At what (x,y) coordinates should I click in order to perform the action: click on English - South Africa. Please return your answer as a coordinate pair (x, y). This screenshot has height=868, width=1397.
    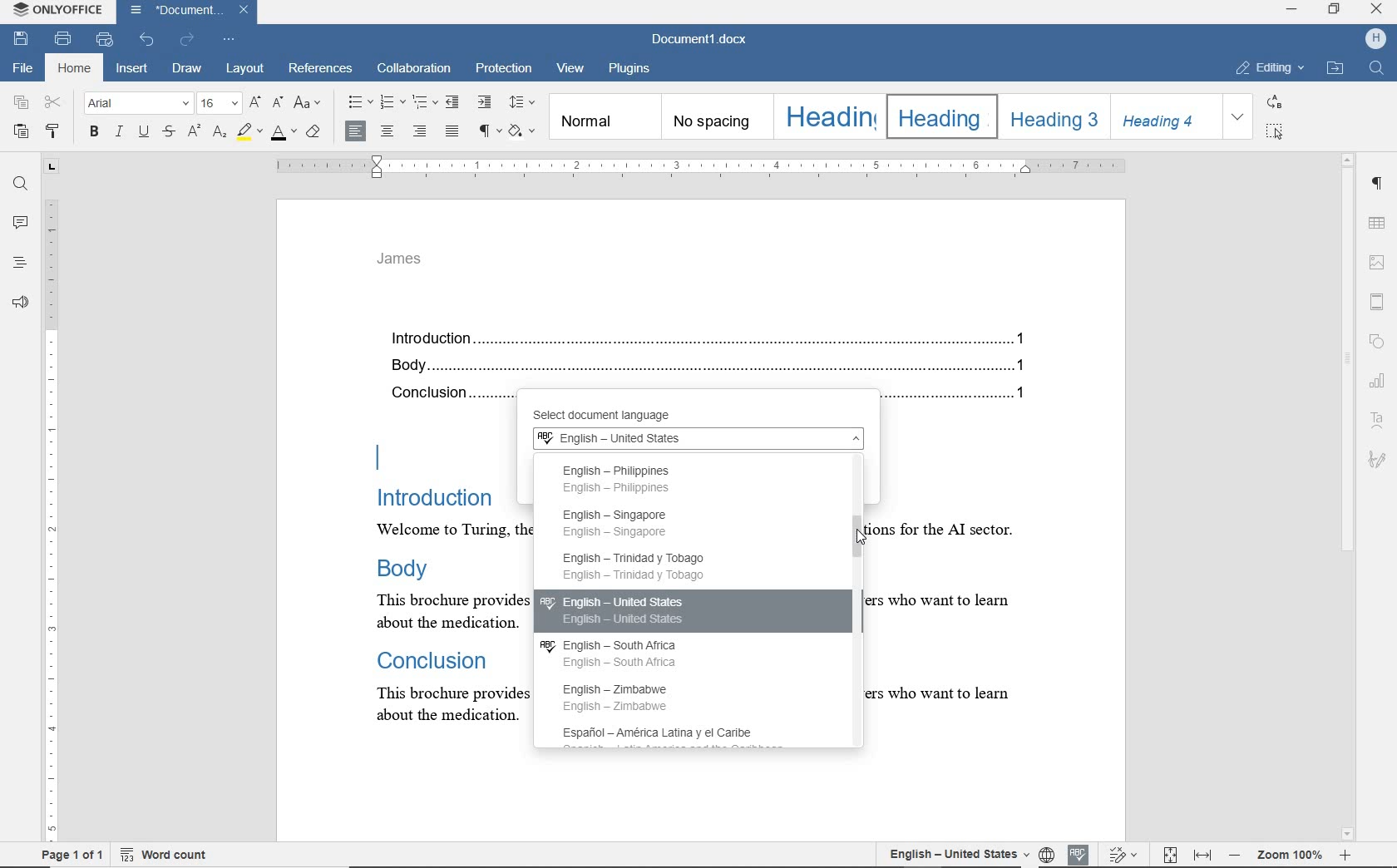
    Looking at the image, I should click on (619, 655).